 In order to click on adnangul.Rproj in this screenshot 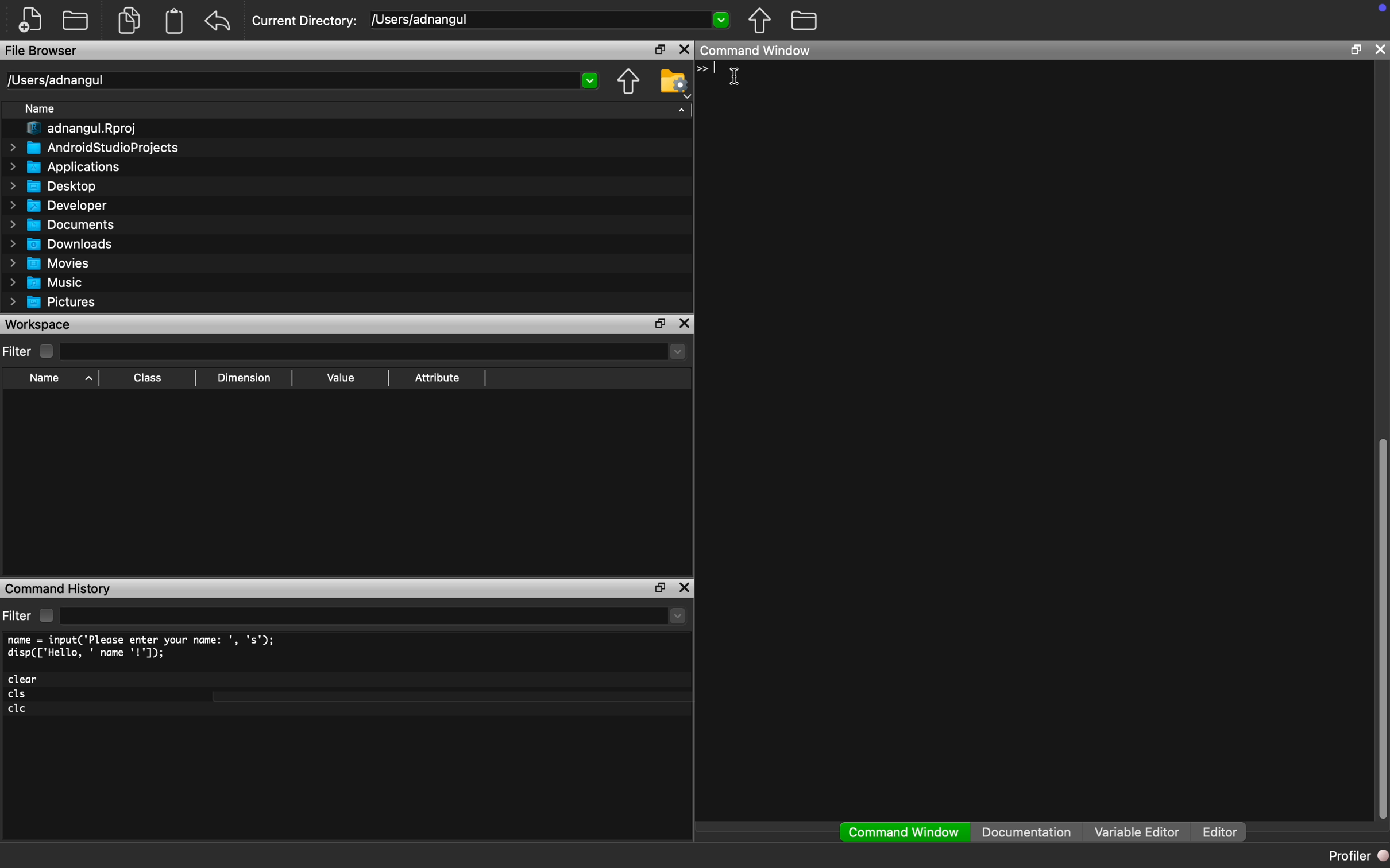, I will do `click(83, 129)`.